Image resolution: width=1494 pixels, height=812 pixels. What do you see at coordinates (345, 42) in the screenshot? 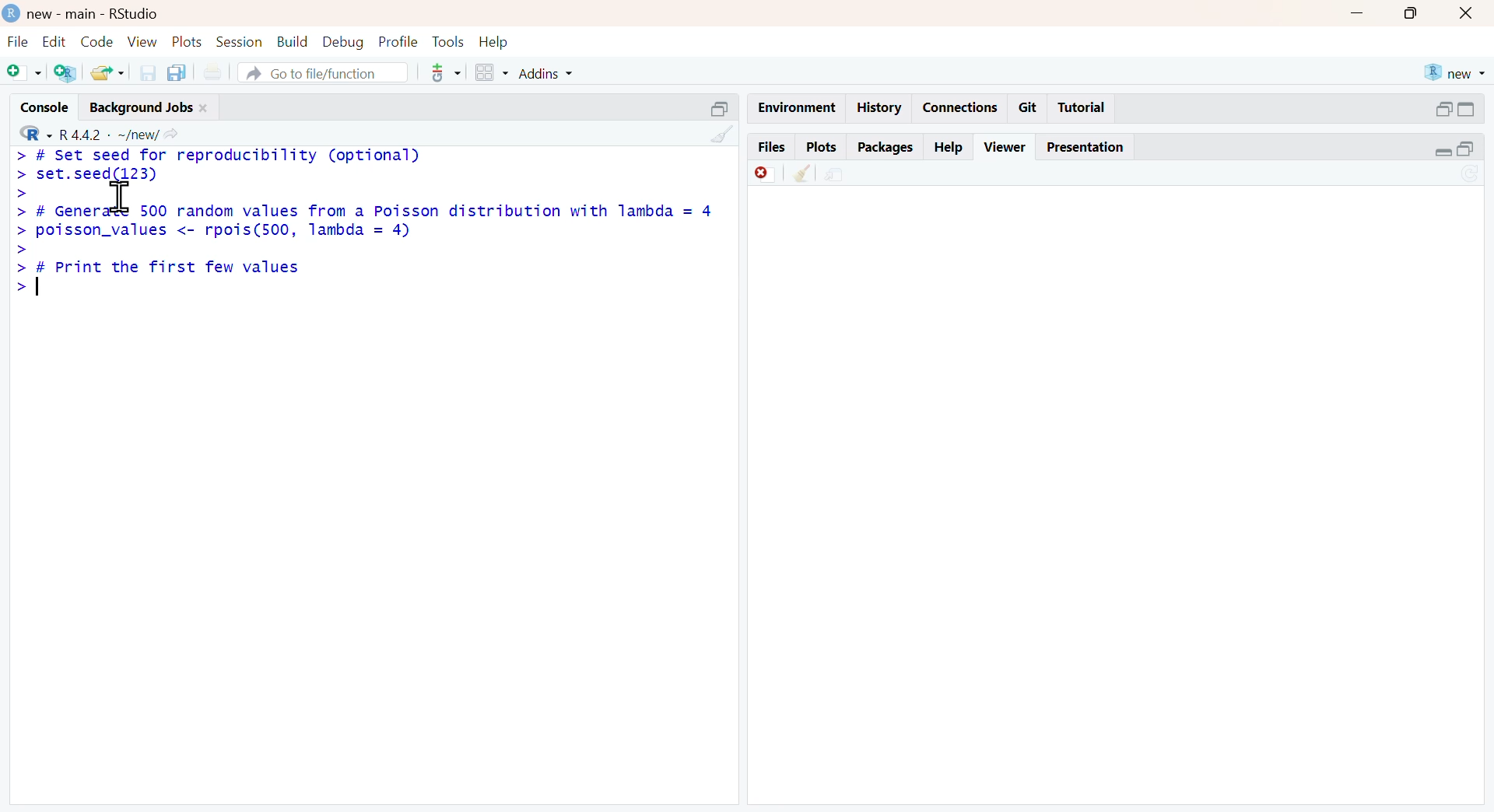
I see `debug` at bounding box center [345, 42].